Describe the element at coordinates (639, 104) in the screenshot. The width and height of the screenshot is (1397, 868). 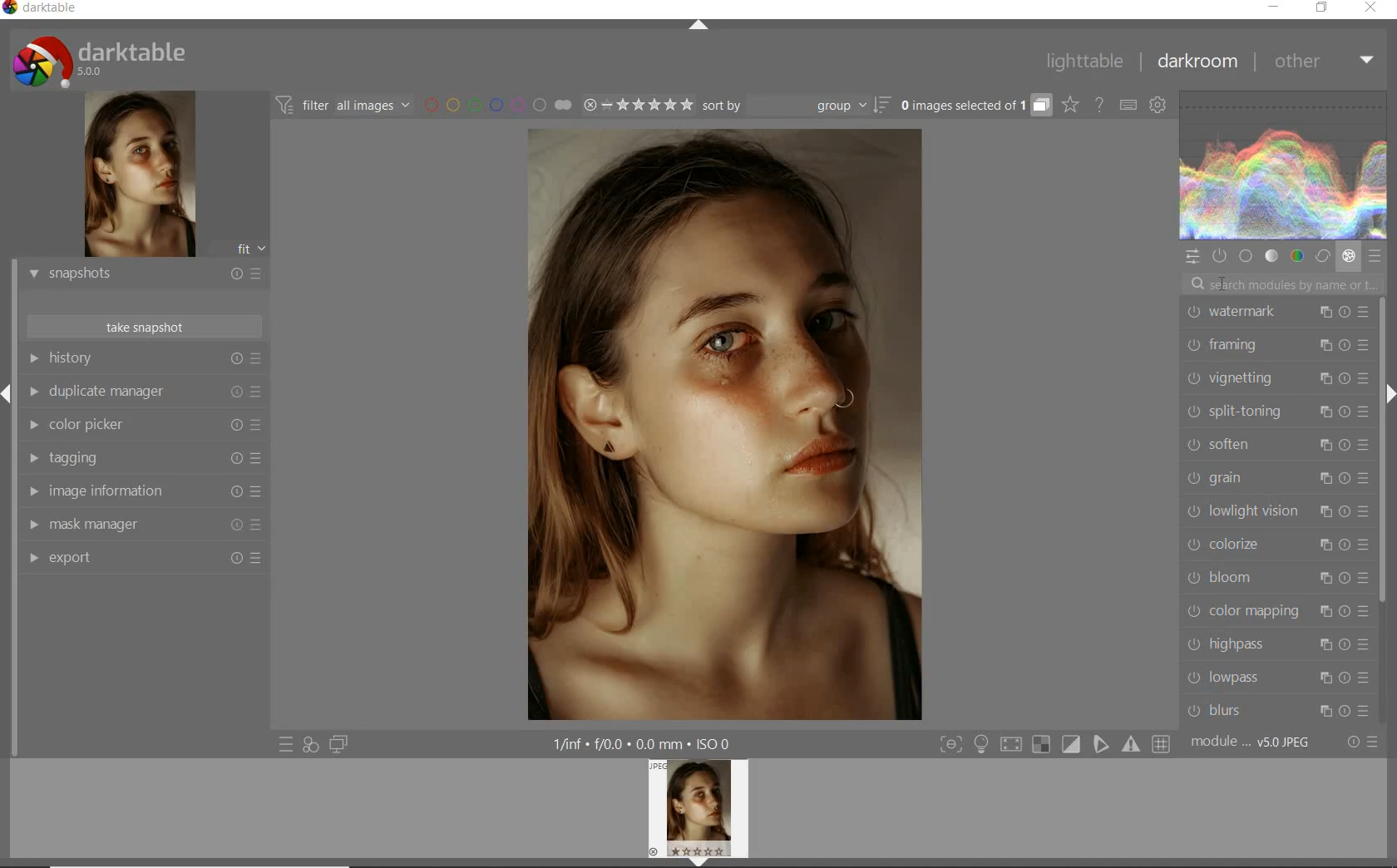
I see `range rating of selected images` at that location.